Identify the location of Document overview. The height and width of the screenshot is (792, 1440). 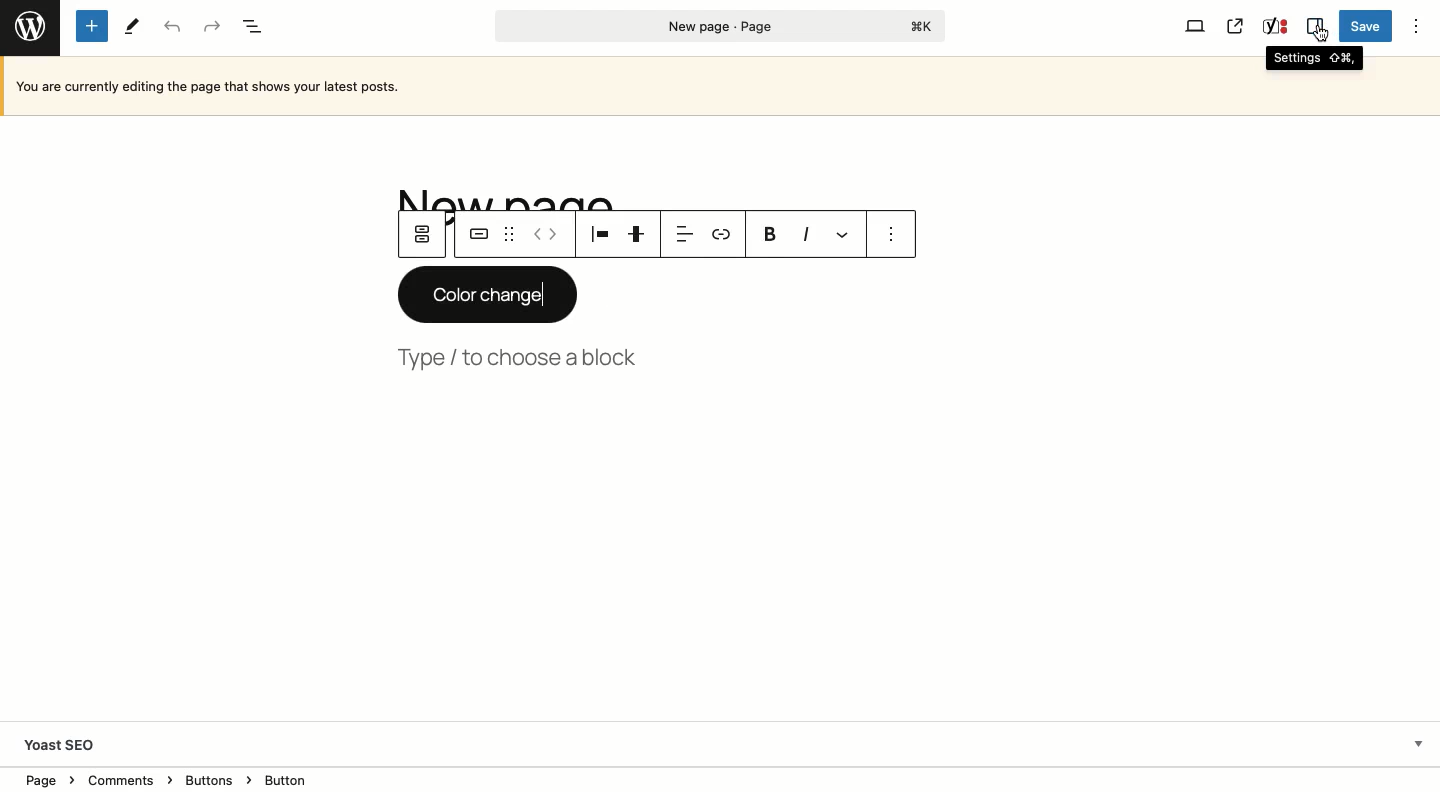
(256, 28).